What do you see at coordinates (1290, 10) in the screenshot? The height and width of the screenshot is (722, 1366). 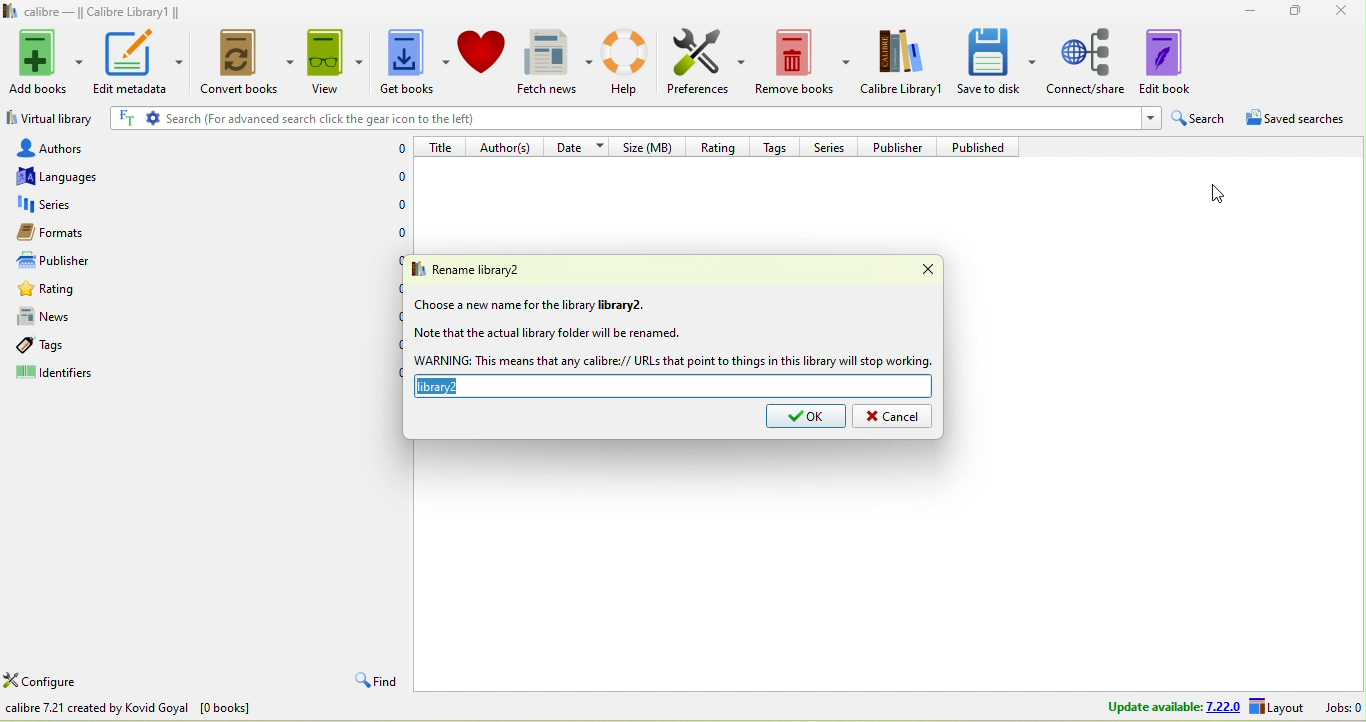 I see `maximize` at bounding box center [1290, 10].